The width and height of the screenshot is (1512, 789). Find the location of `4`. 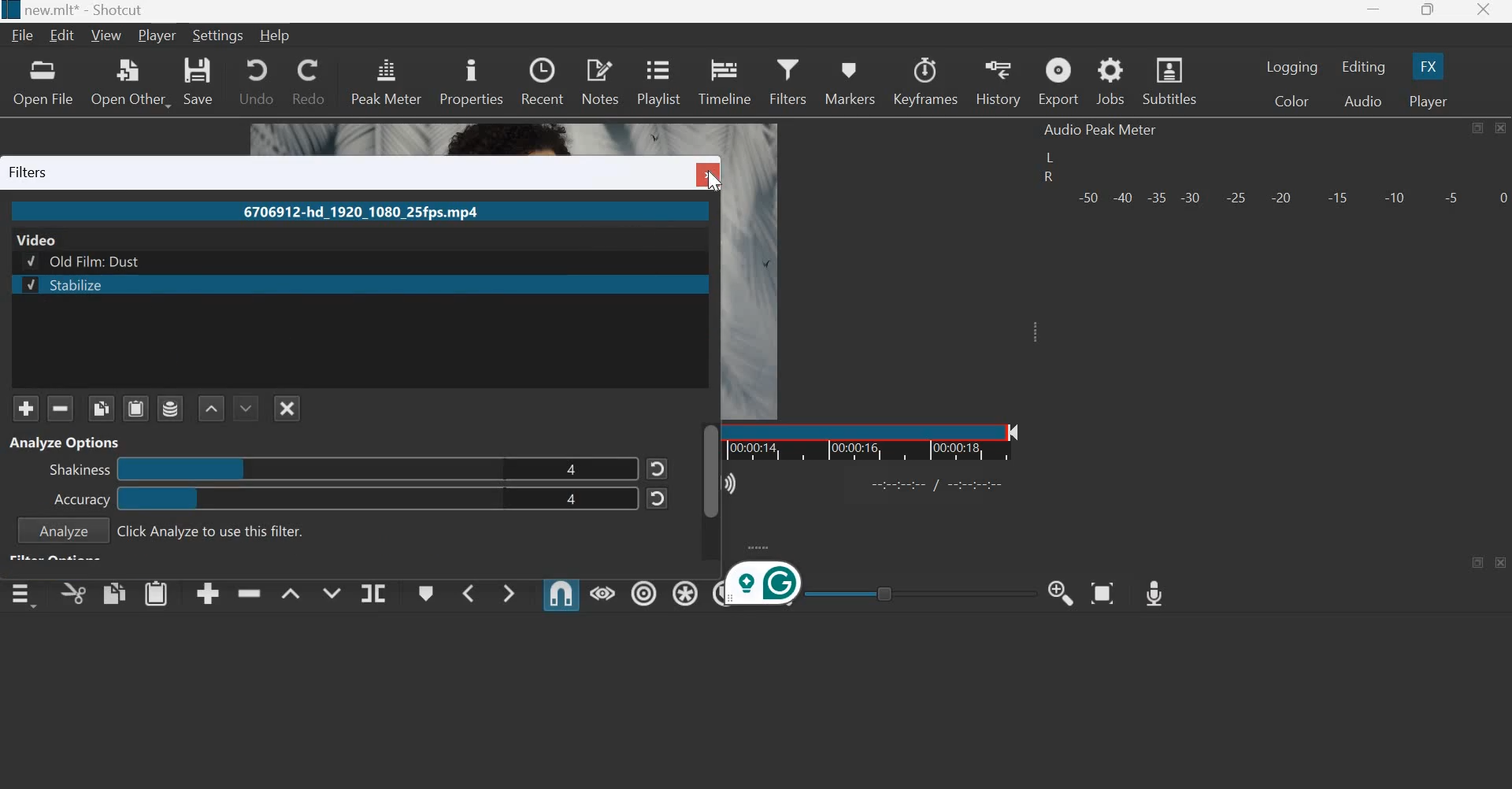

4 is located at coordinates (573, 503).